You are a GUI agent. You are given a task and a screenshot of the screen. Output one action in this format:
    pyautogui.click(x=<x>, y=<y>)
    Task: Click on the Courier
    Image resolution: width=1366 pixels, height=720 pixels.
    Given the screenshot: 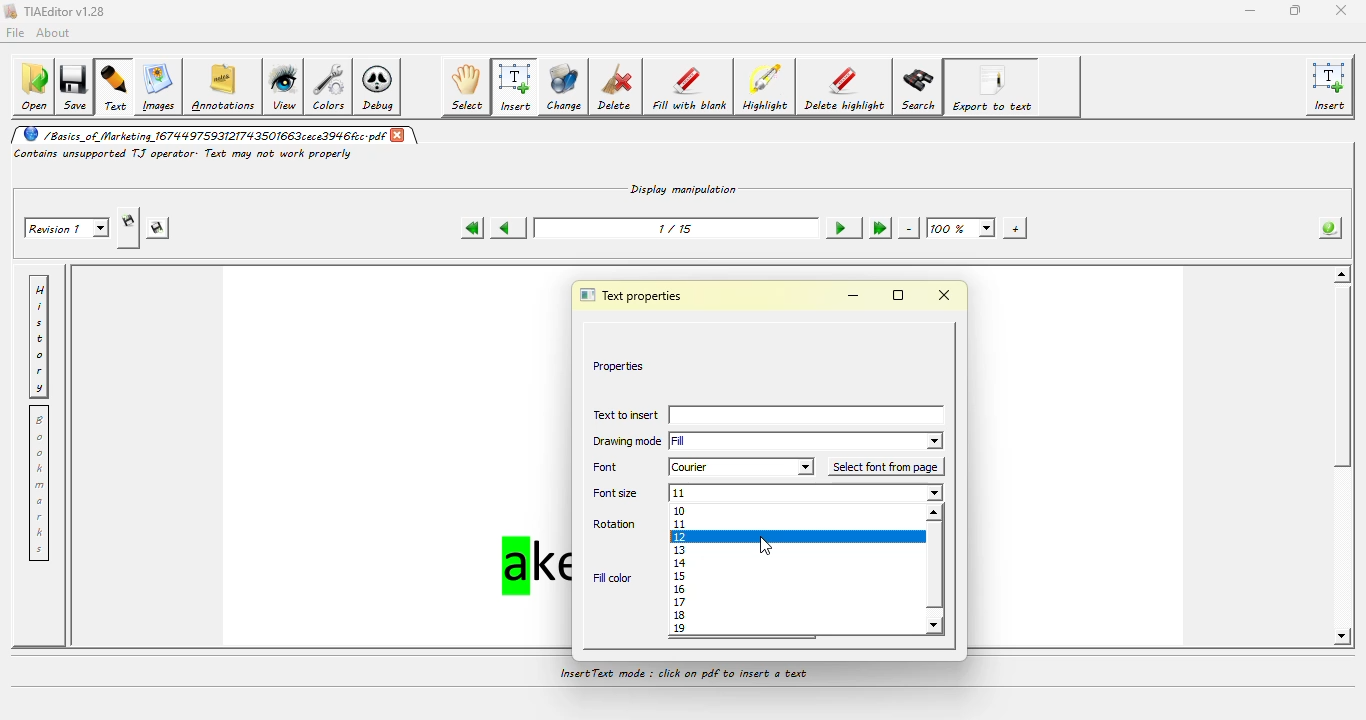 What is the action you would take?
    pyautogui.click(x=741, y=467)
    